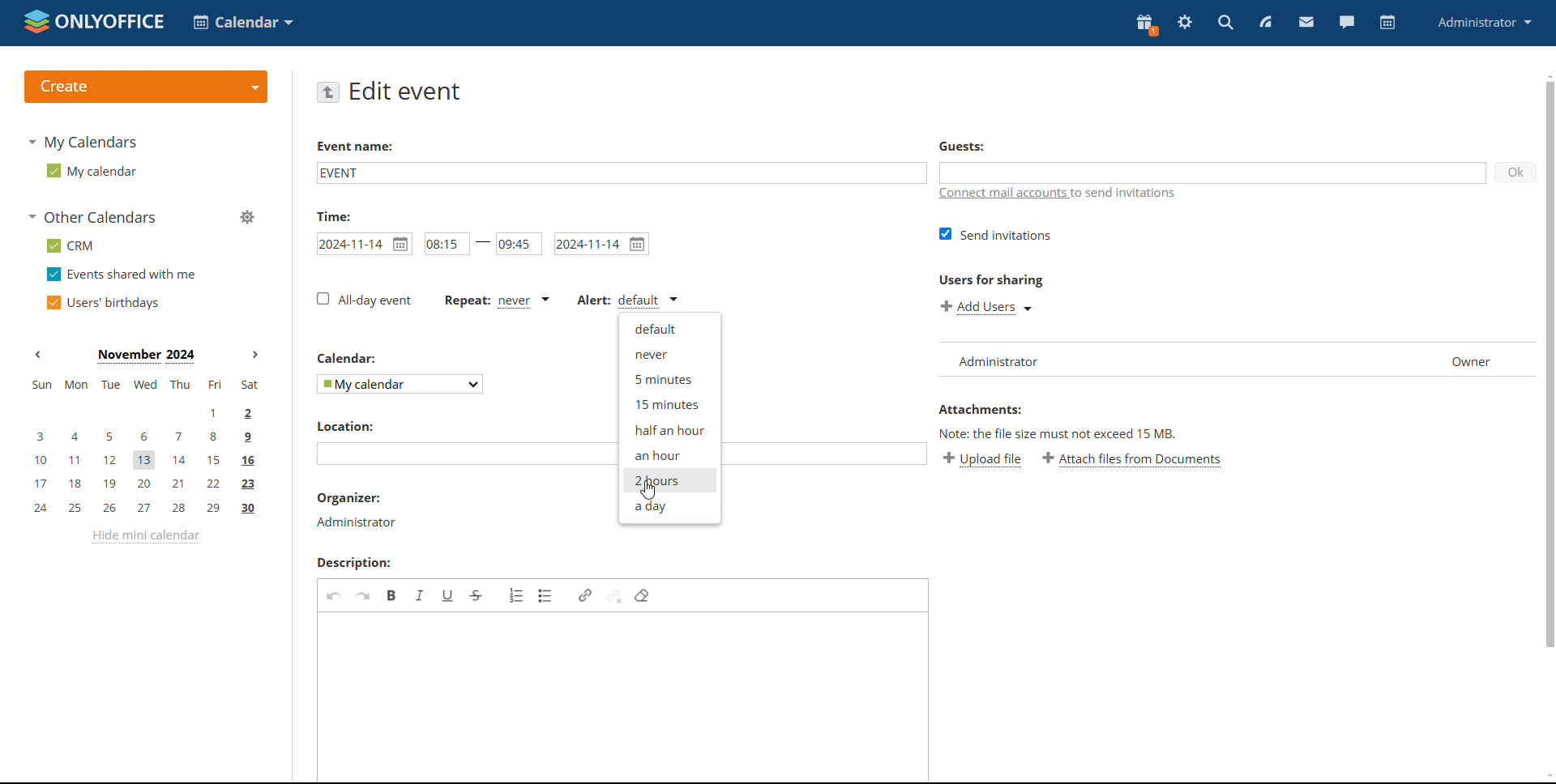 This screenshot has height=784, width=1556. I want to click on create, so click(145, 88).